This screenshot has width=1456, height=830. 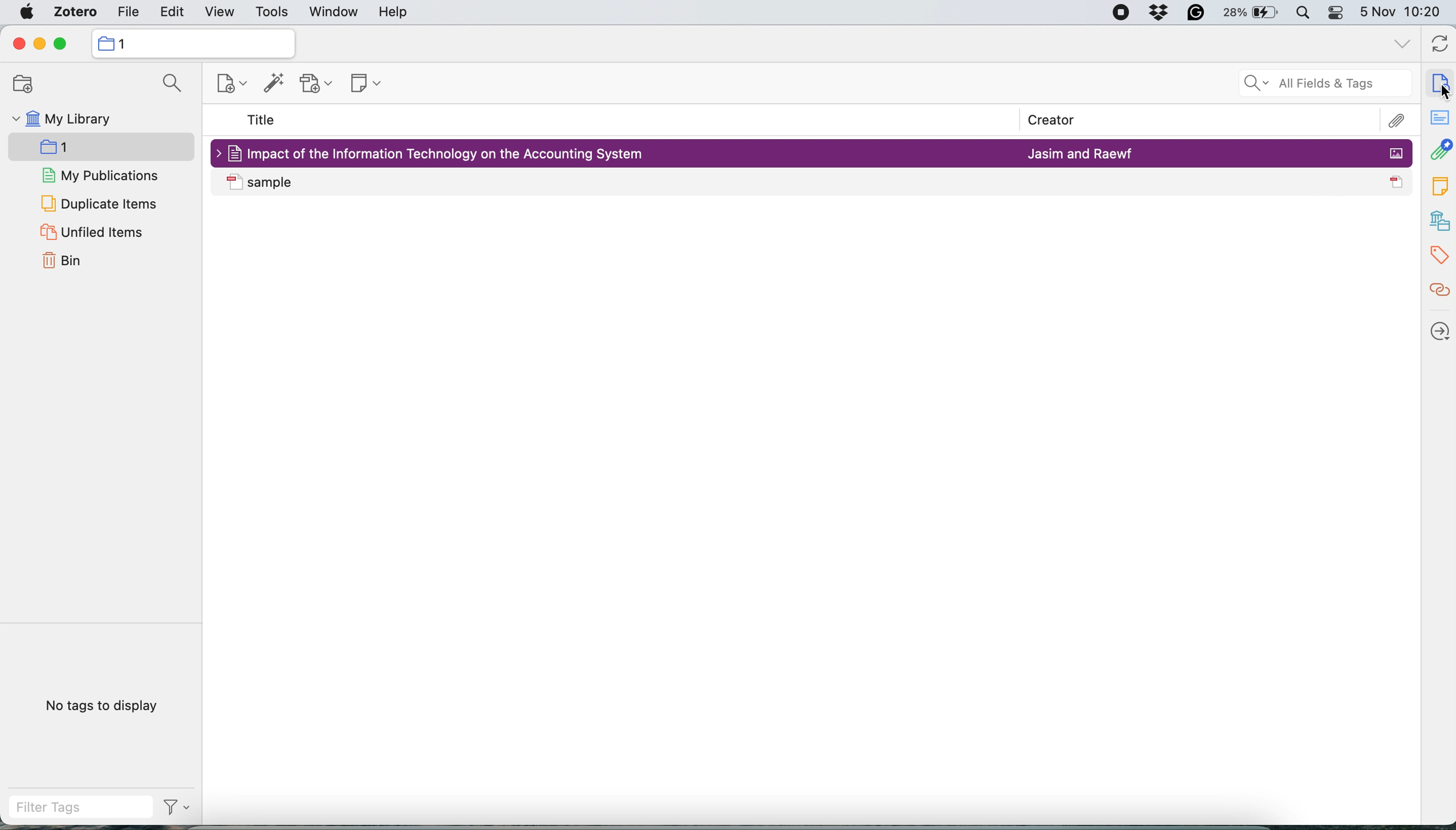 What do you see at coordinates (274, 12) in the screenshot?
I see `tools` at bounding box center [274, 12].